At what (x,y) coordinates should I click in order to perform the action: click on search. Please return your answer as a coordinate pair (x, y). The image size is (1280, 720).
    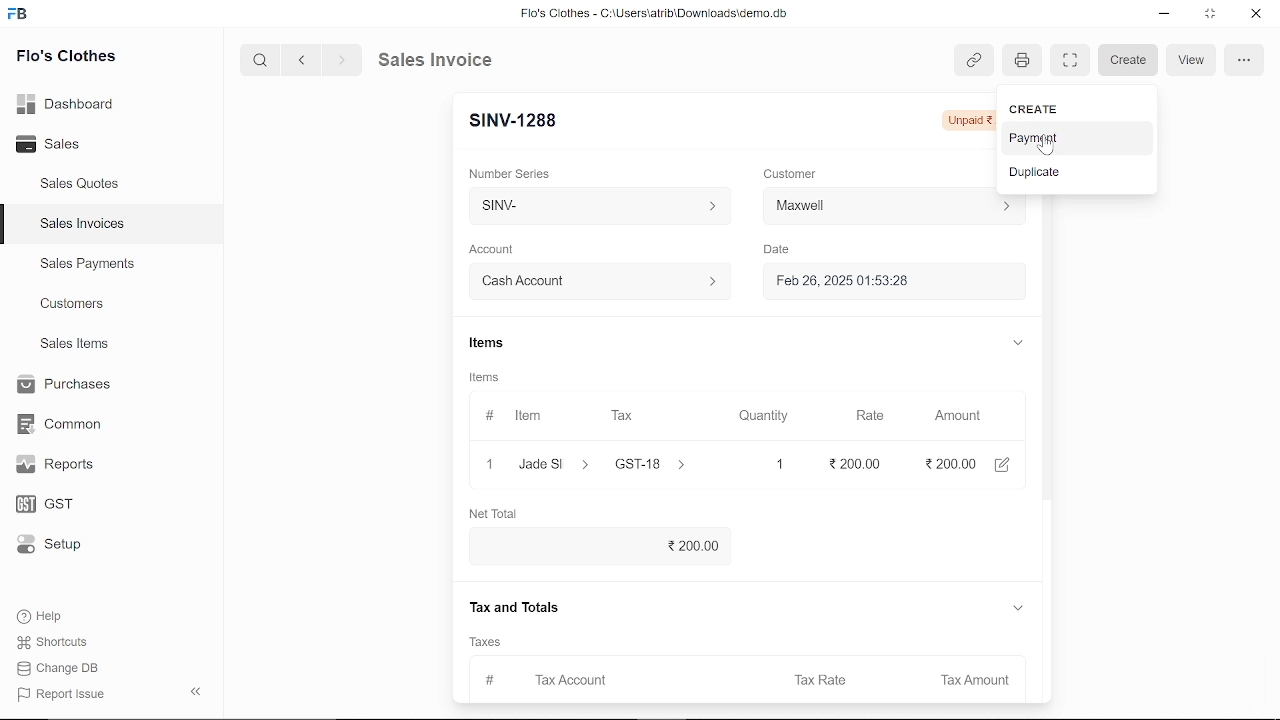
    Looking at the image, I should click on (262, 59).